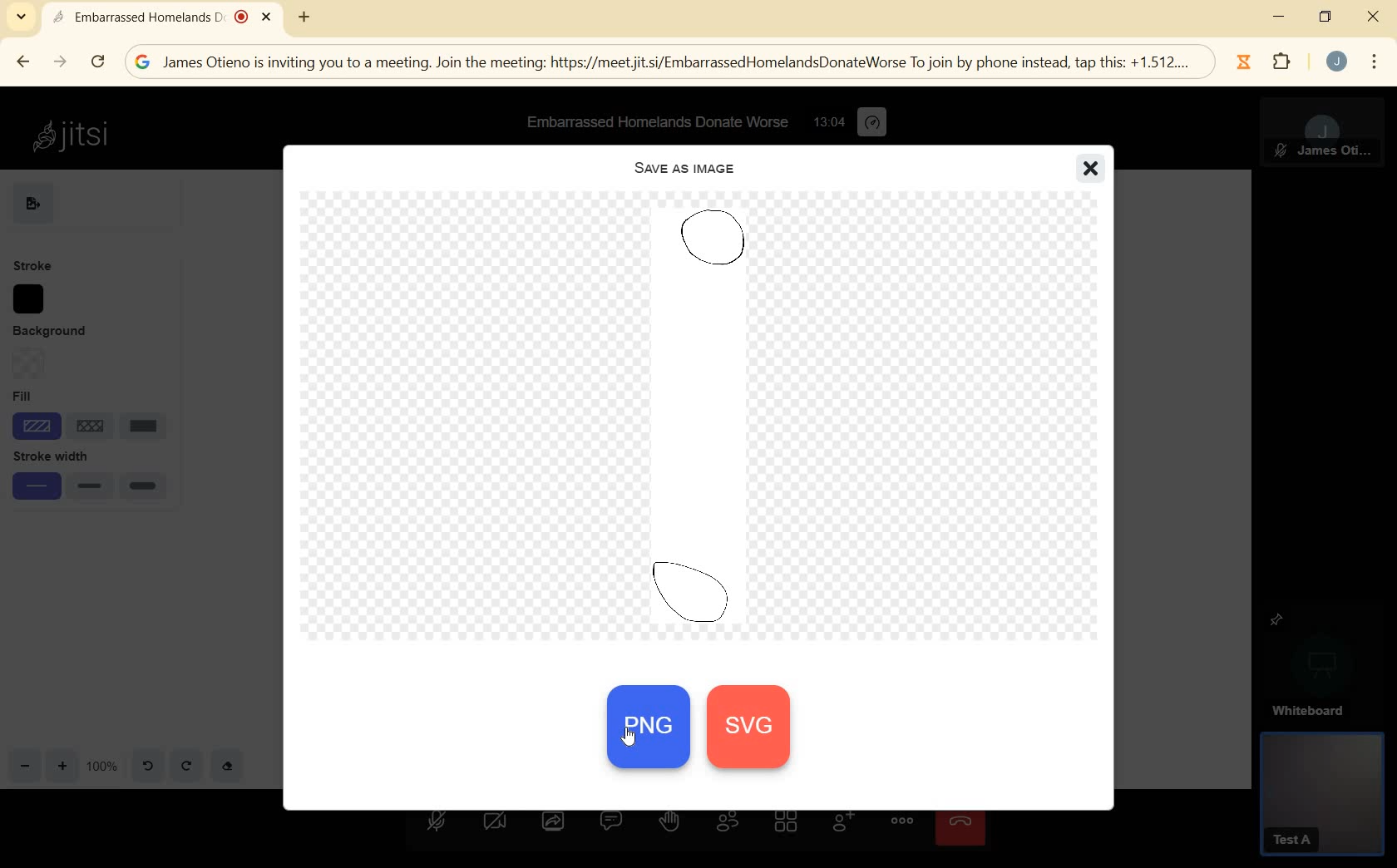 The width and height of the screenshot is (1397, 868). What do you see at coordinates (703, 421) in the screenshot?
I see `PREVIEW` at bounding box center [703, 421].